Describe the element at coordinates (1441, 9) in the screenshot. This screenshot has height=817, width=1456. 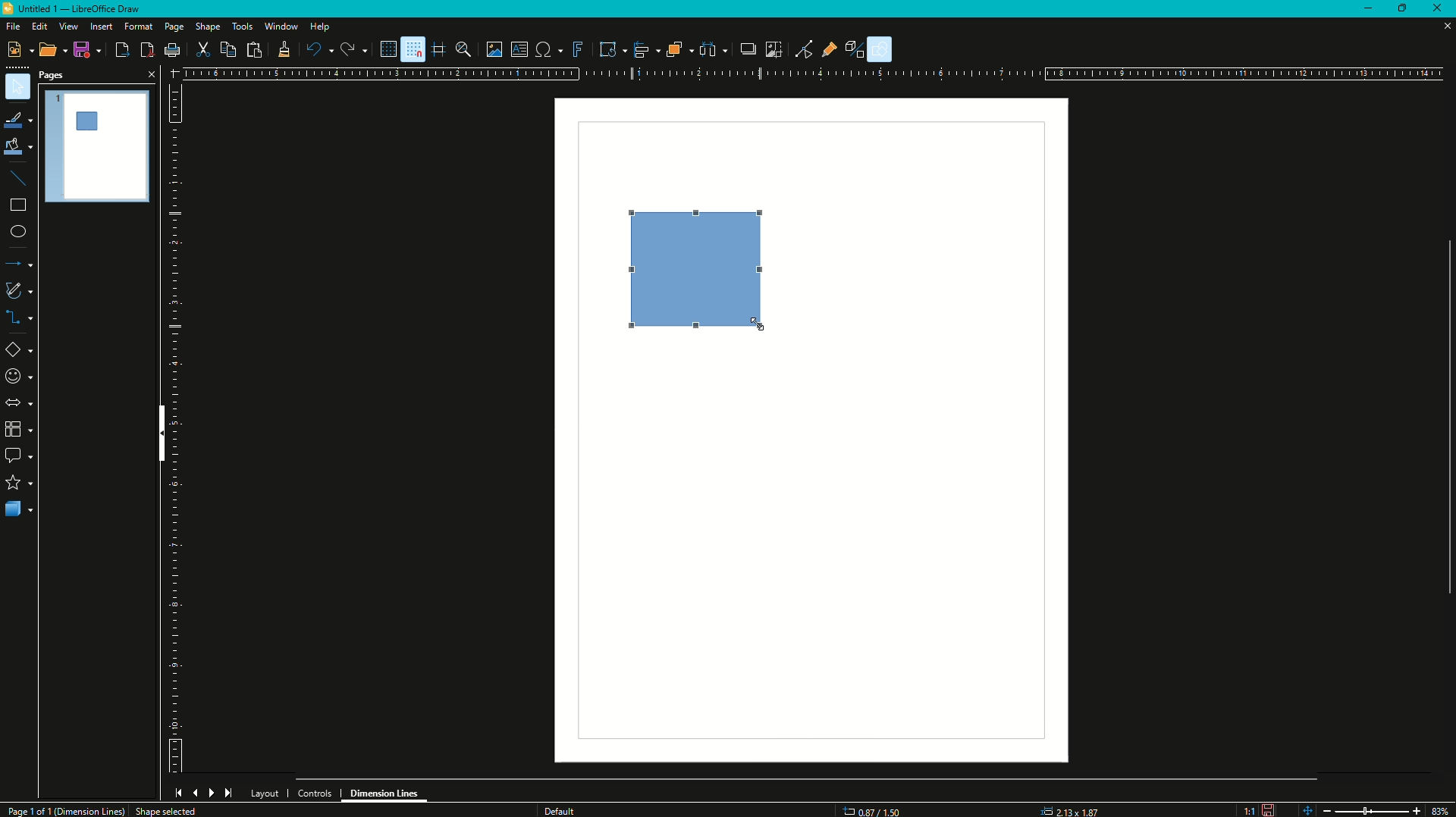
I see `Close` at that location.